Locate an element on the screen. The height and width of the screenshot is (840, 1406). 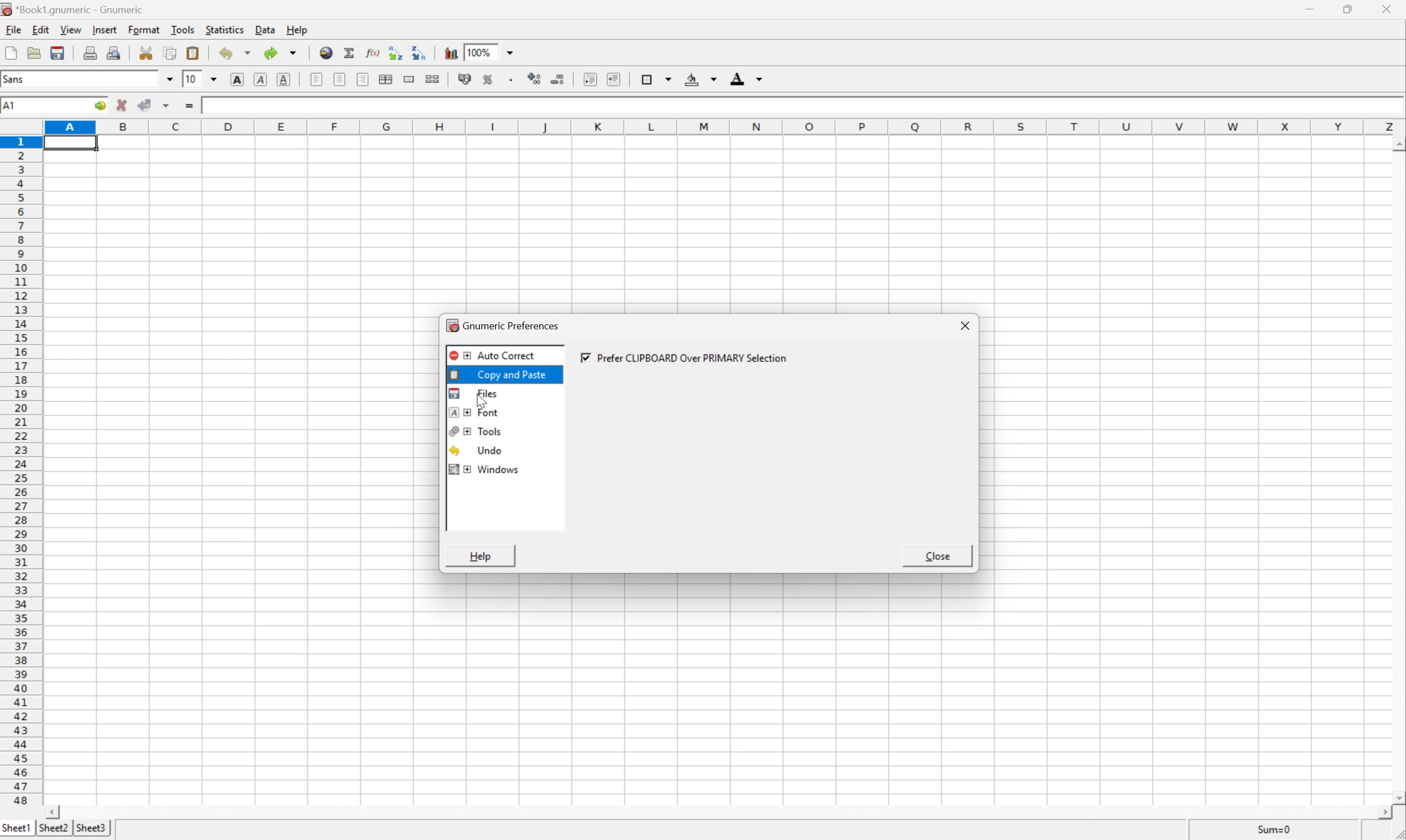
center horizontally across selection is located at coordinates (387, 77).